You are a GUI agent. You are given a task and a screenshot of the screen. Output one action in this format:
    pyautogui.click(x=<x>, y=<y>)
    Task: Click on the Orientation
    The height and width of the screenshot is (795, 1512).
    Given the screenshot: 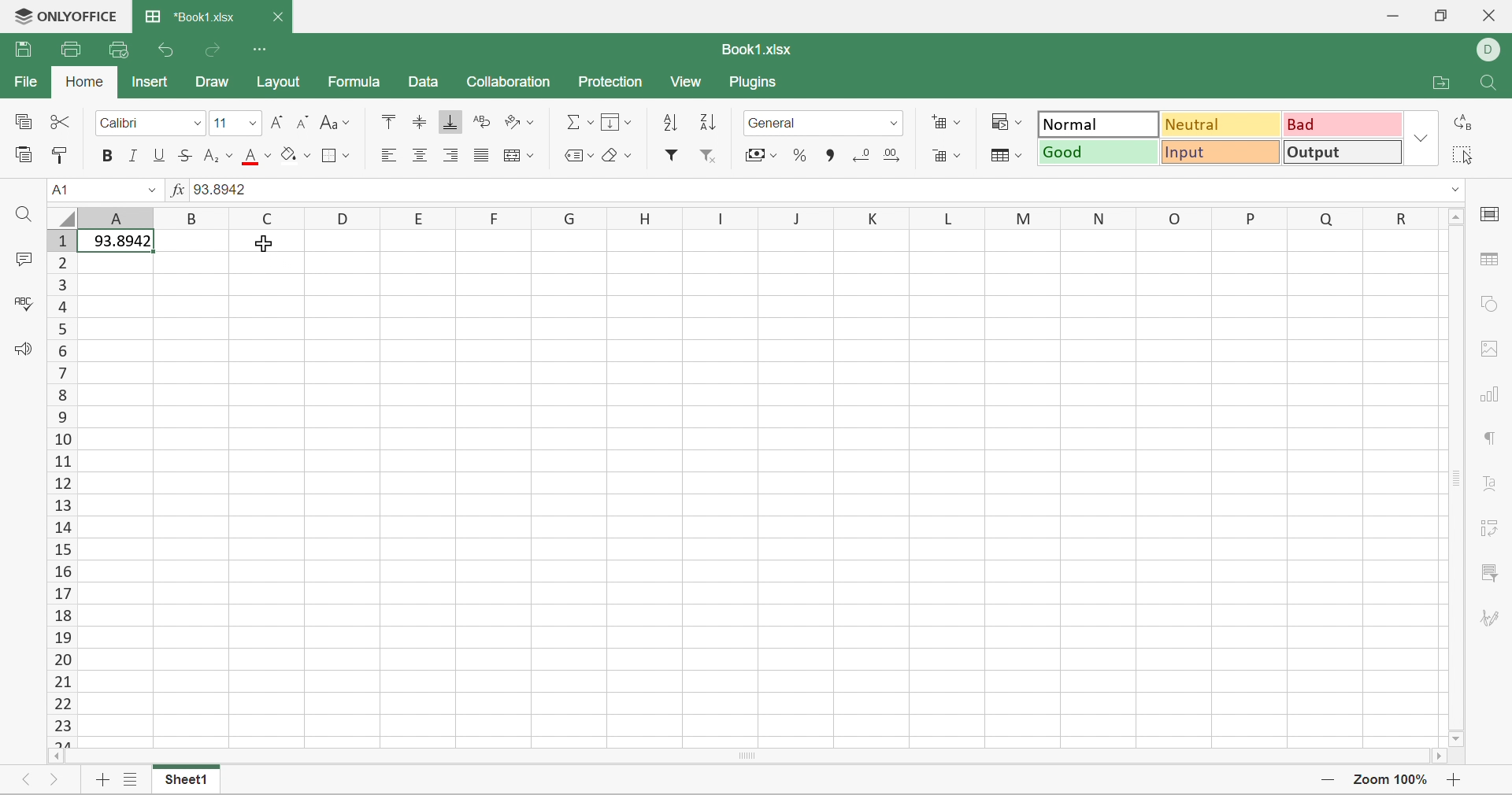 What is the action you would take?
    pyautogui.click(x=515, y=122)
    